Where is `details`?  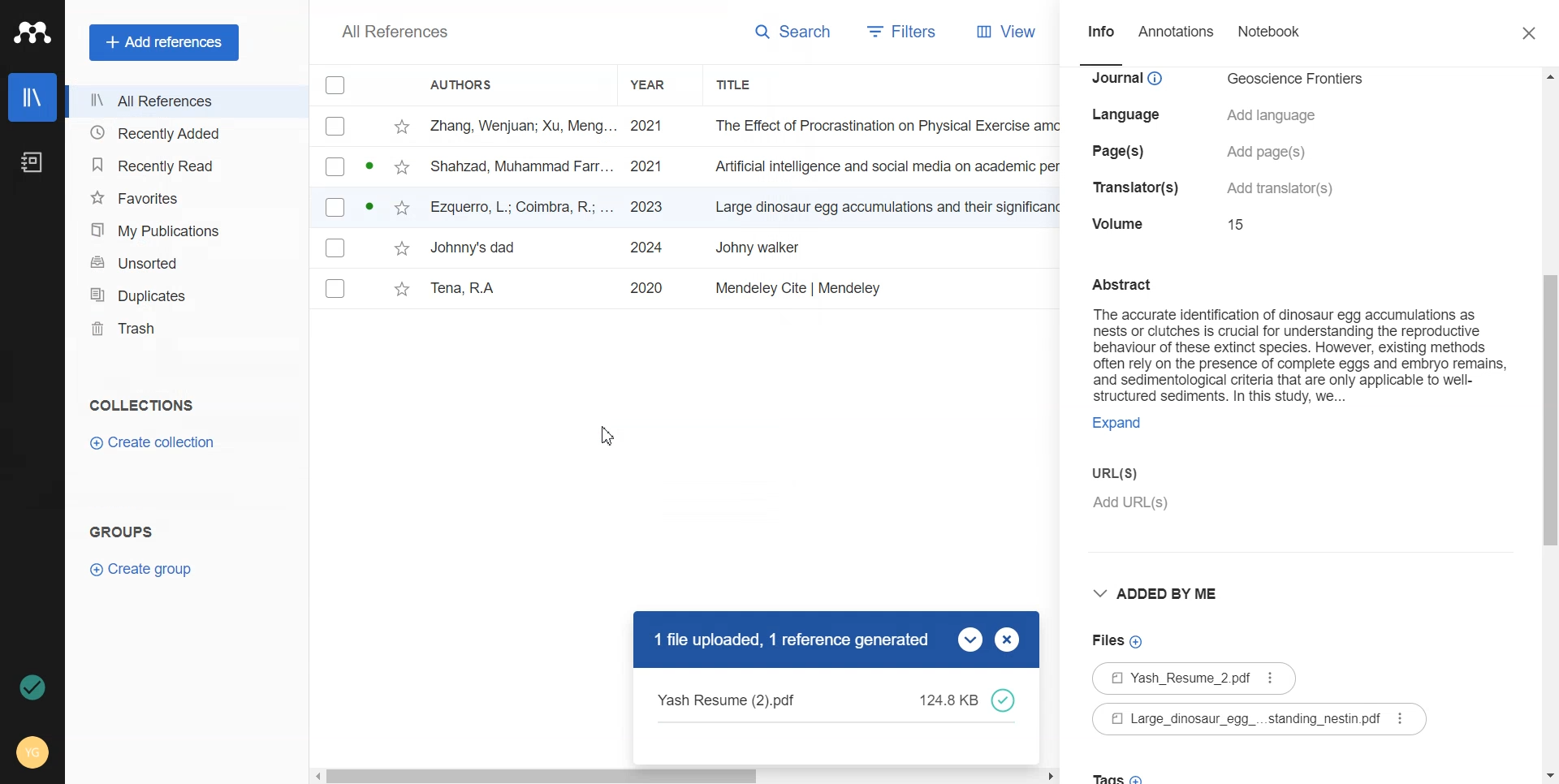 details is located at coordinates (1269, 152).